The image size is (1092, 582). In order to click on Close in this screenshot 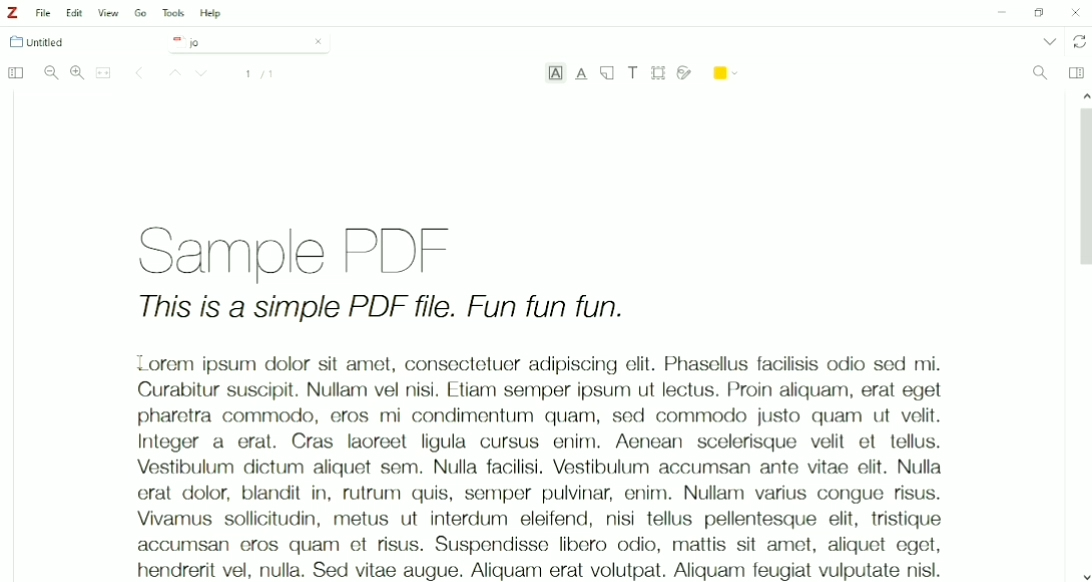, I will do `click(1076, 12)`.